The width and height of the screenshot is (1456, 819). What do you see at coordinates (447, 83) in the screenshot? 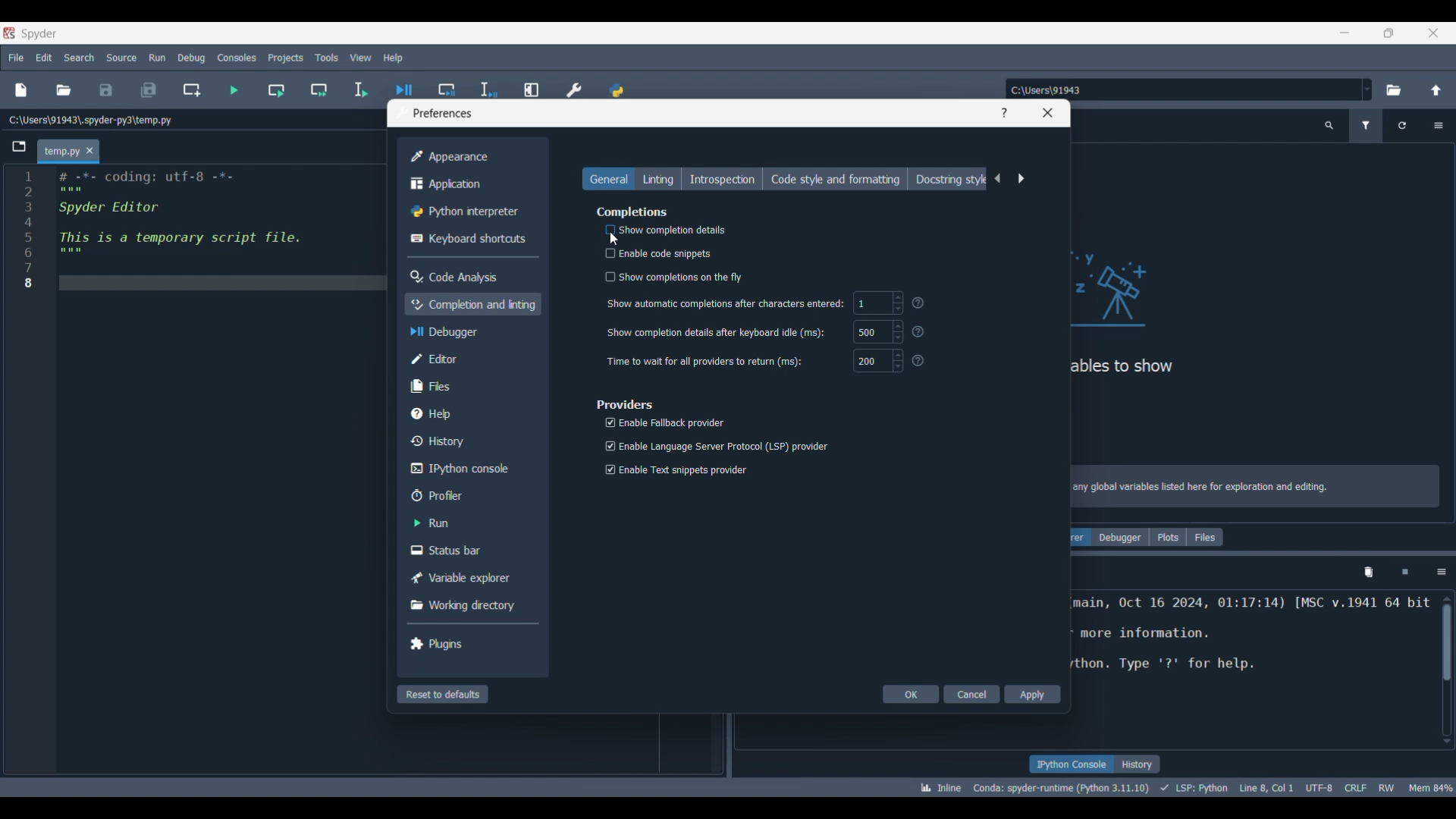
I see `Debug cell` at bounding box center [447, 83].